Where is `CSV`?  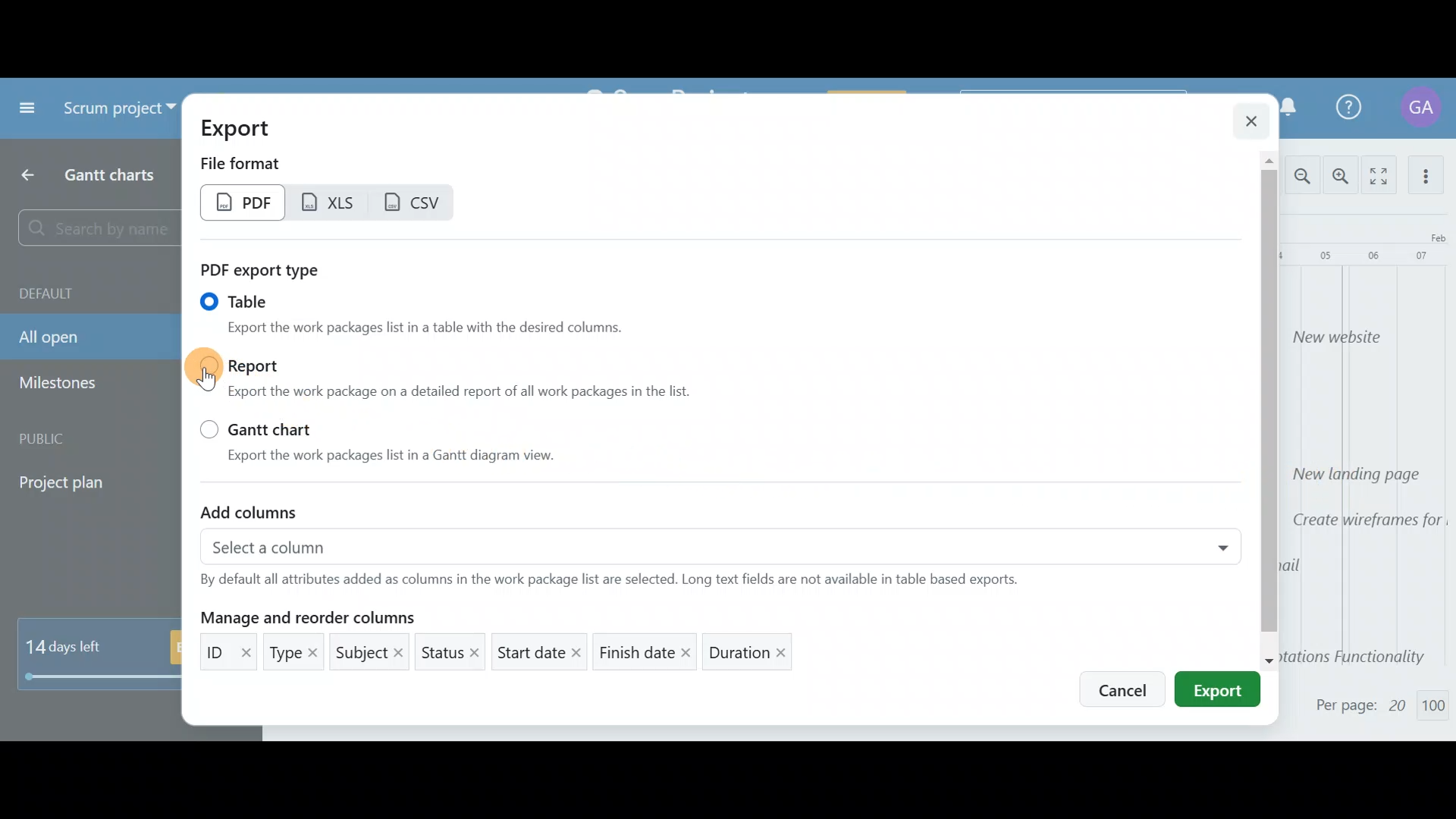 CSV is located at coordinates (413, 203).